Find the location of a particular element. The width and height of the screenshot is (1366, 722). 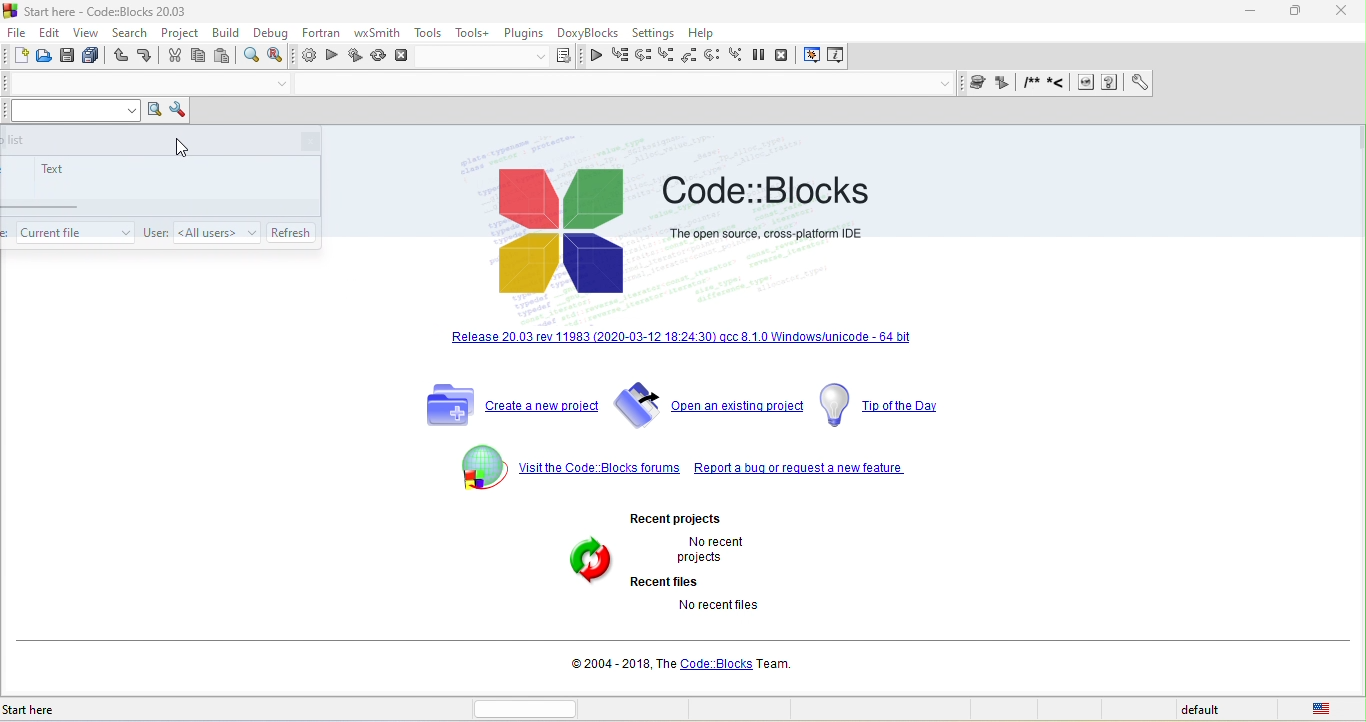

show option window is located at coordinates (176, 111).